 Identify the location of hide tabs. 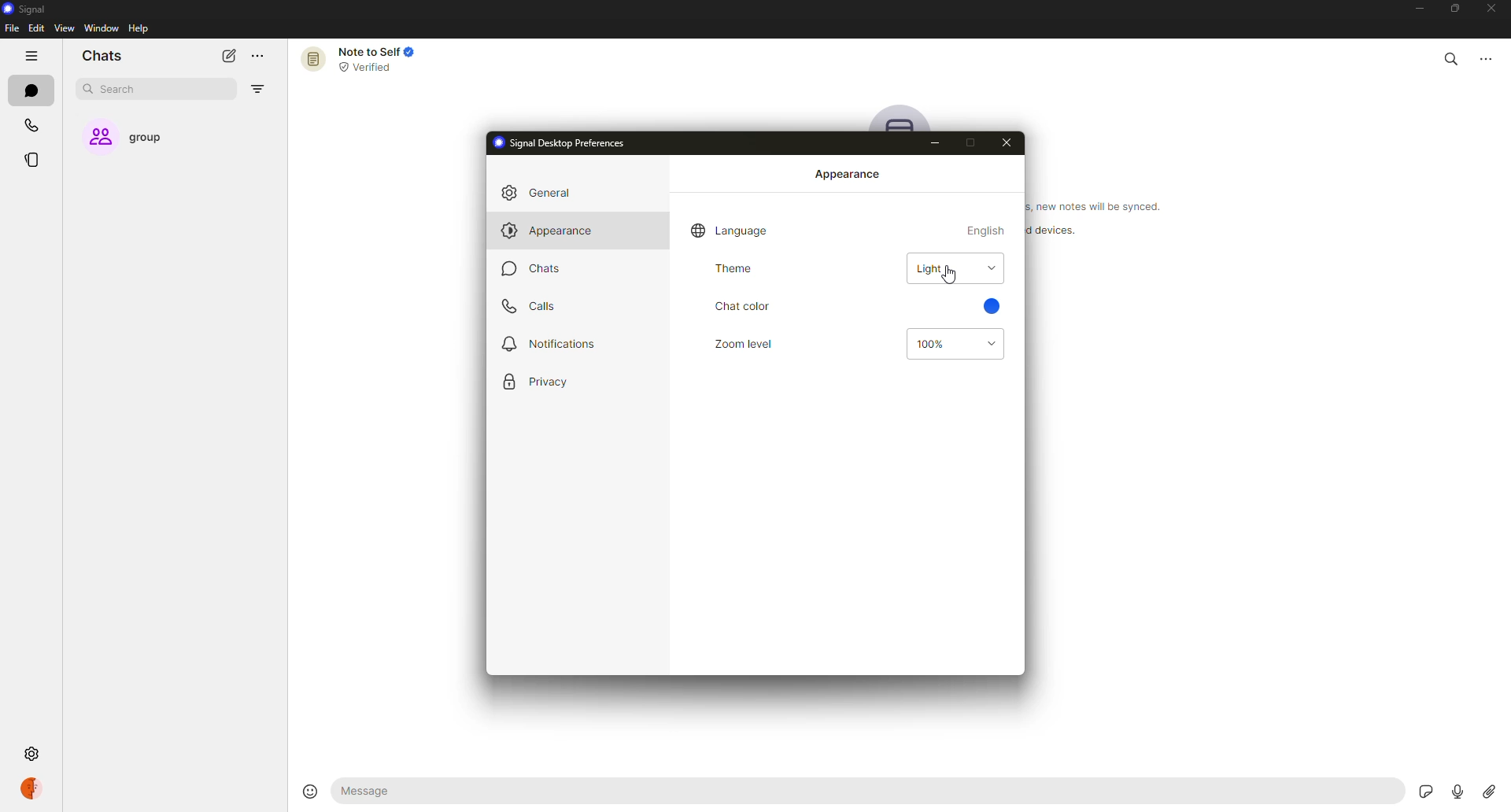
(33, 57).